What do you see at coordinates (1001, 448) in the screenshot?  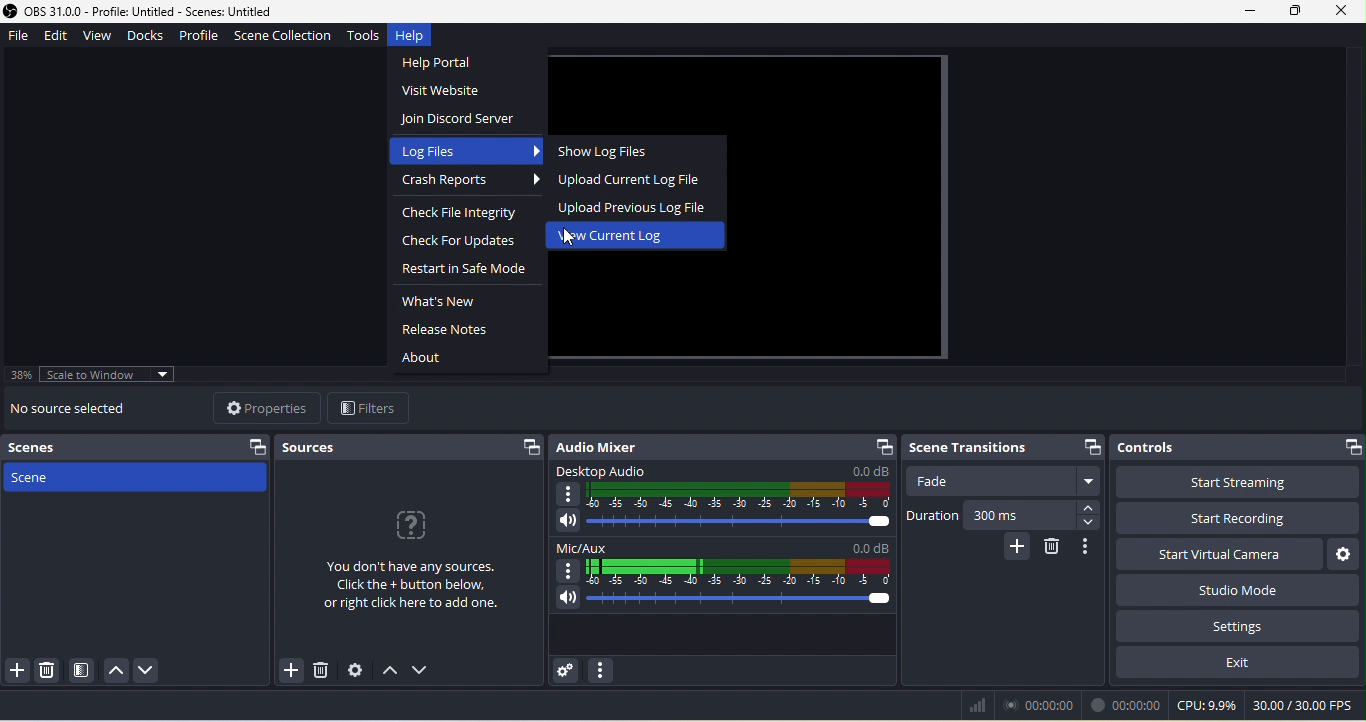 I see `scene transitions` at bounding box center [1001, 448].